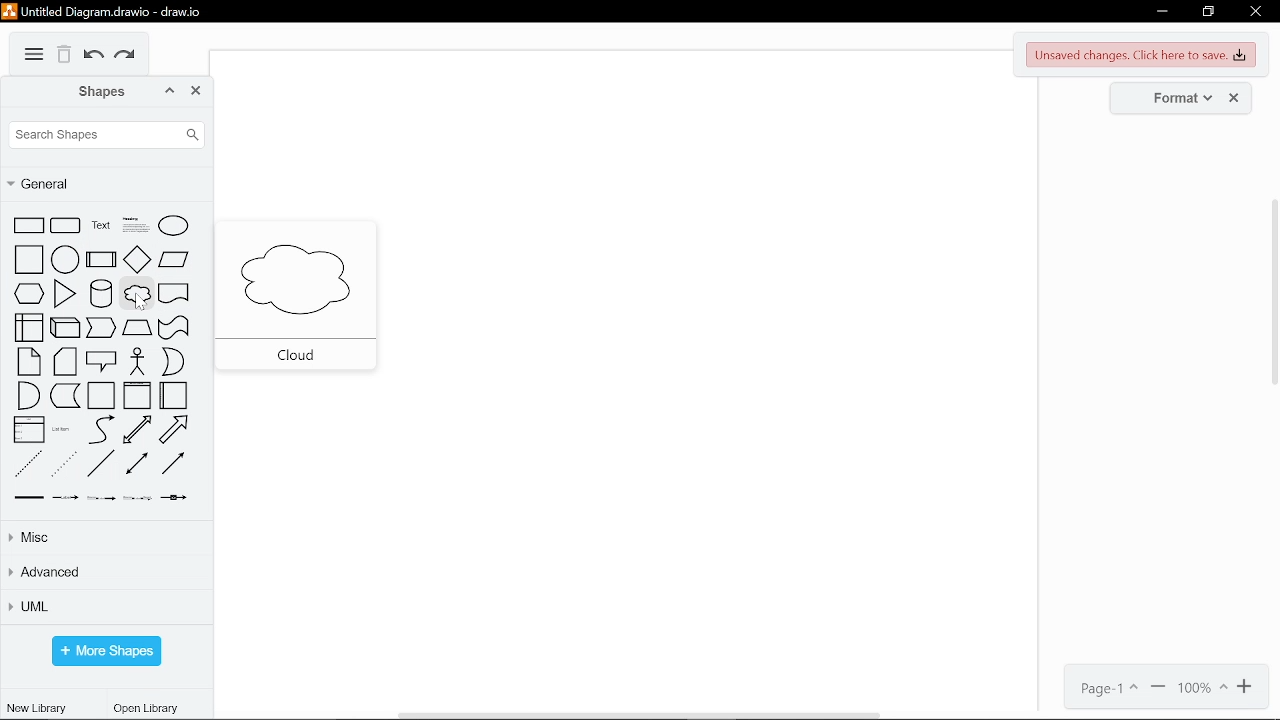 This screenshot has height=720, width=1280. What do you see at coordinates (25, 496) in the screenshot?
I see `link` at bounding box center [25, 496].